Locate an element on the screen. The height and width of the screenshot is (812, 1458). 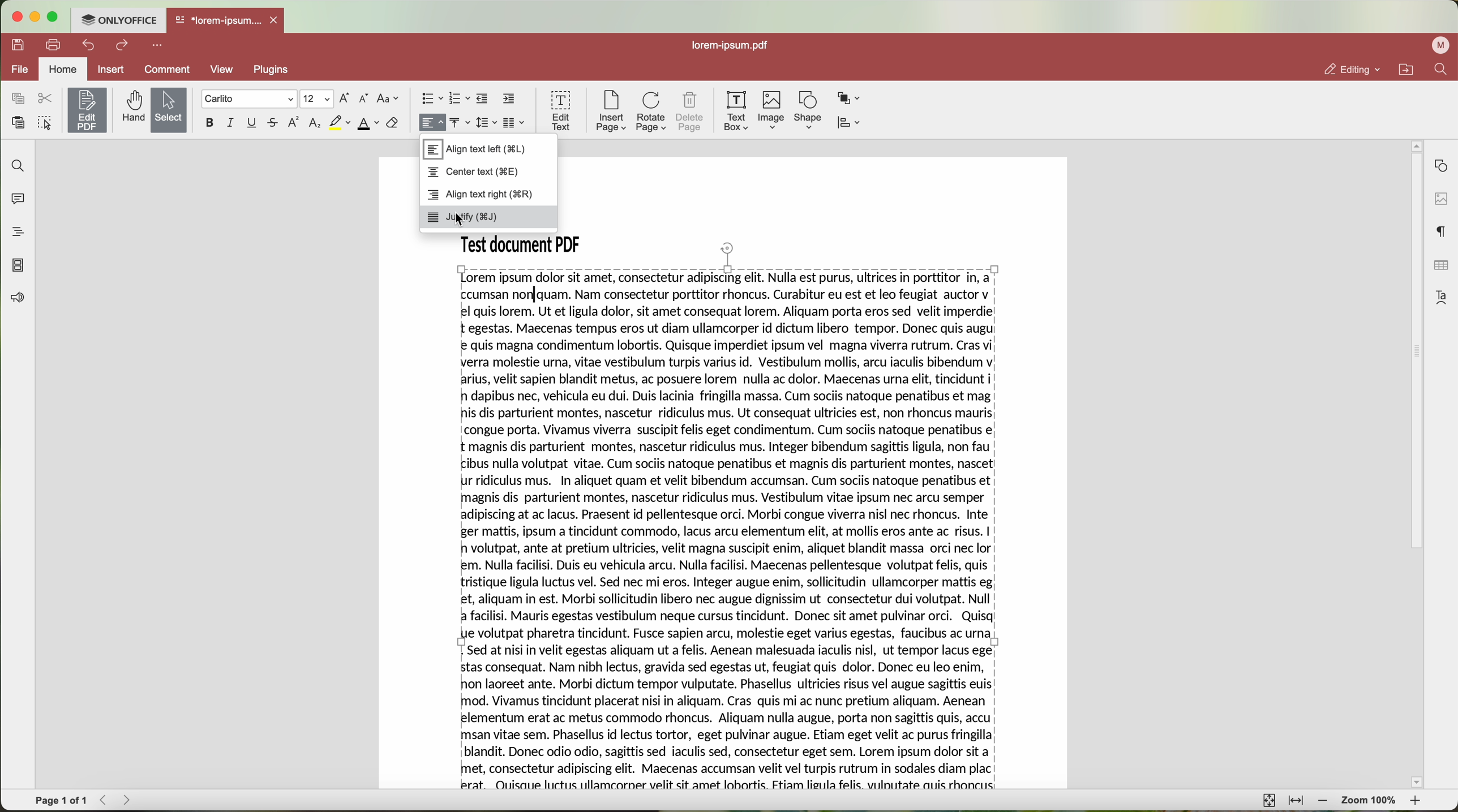
feedback & support is located at coordinates (20, 299).